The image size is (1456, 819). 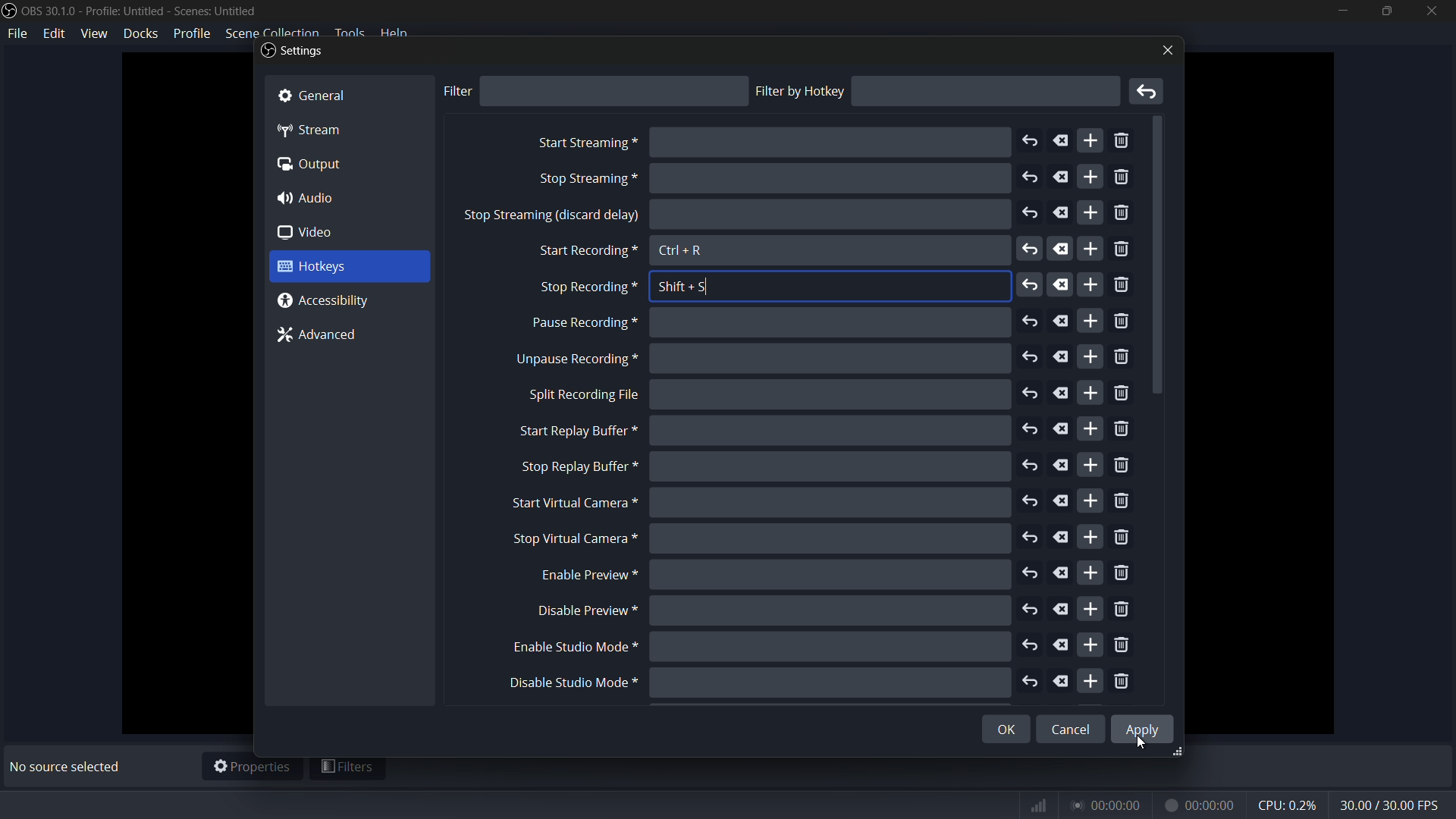 What do you see at coordinates (316, 233) in the screenshot?
I see `0 video` at bounding box center [316, 233].